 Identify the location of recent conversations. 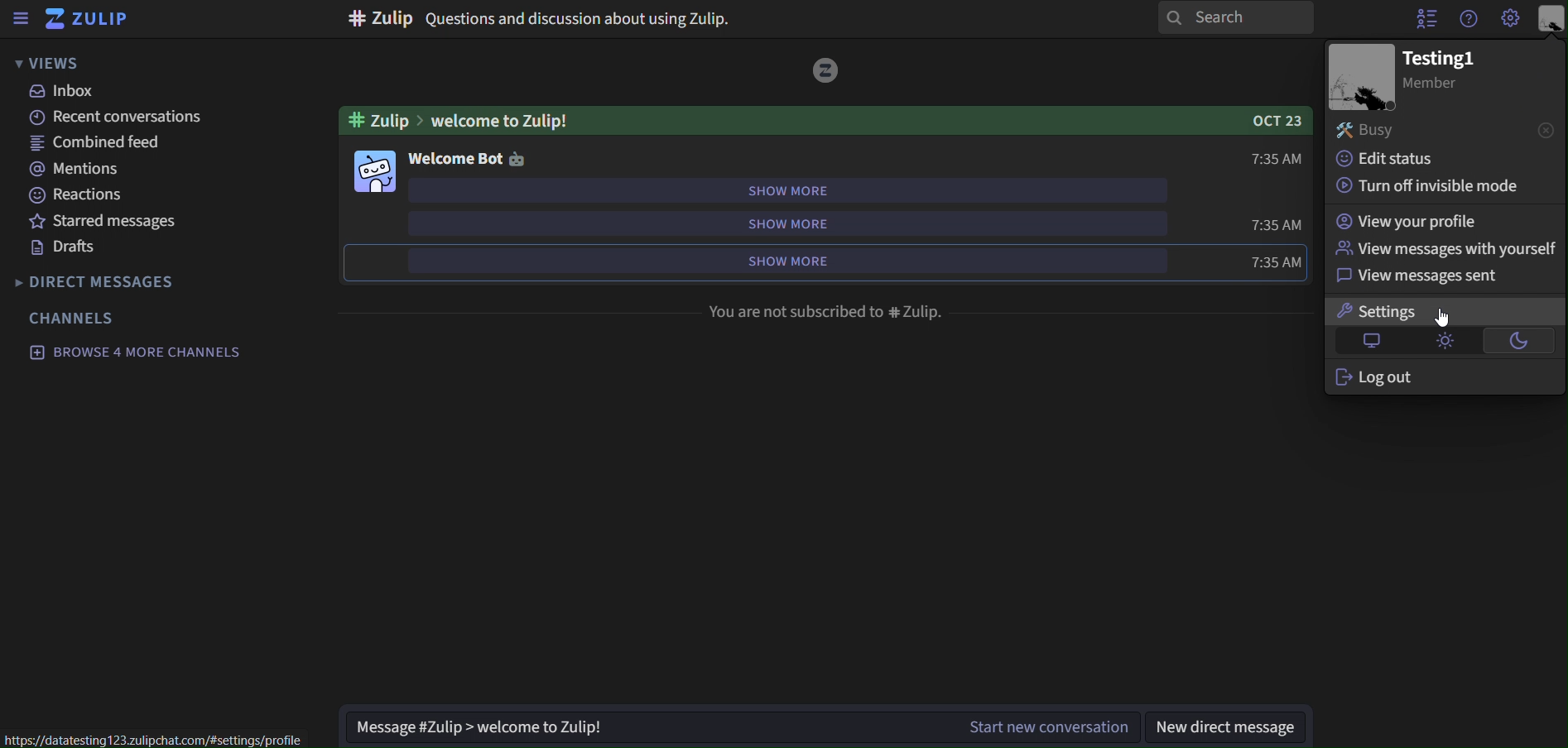
(112, 117).